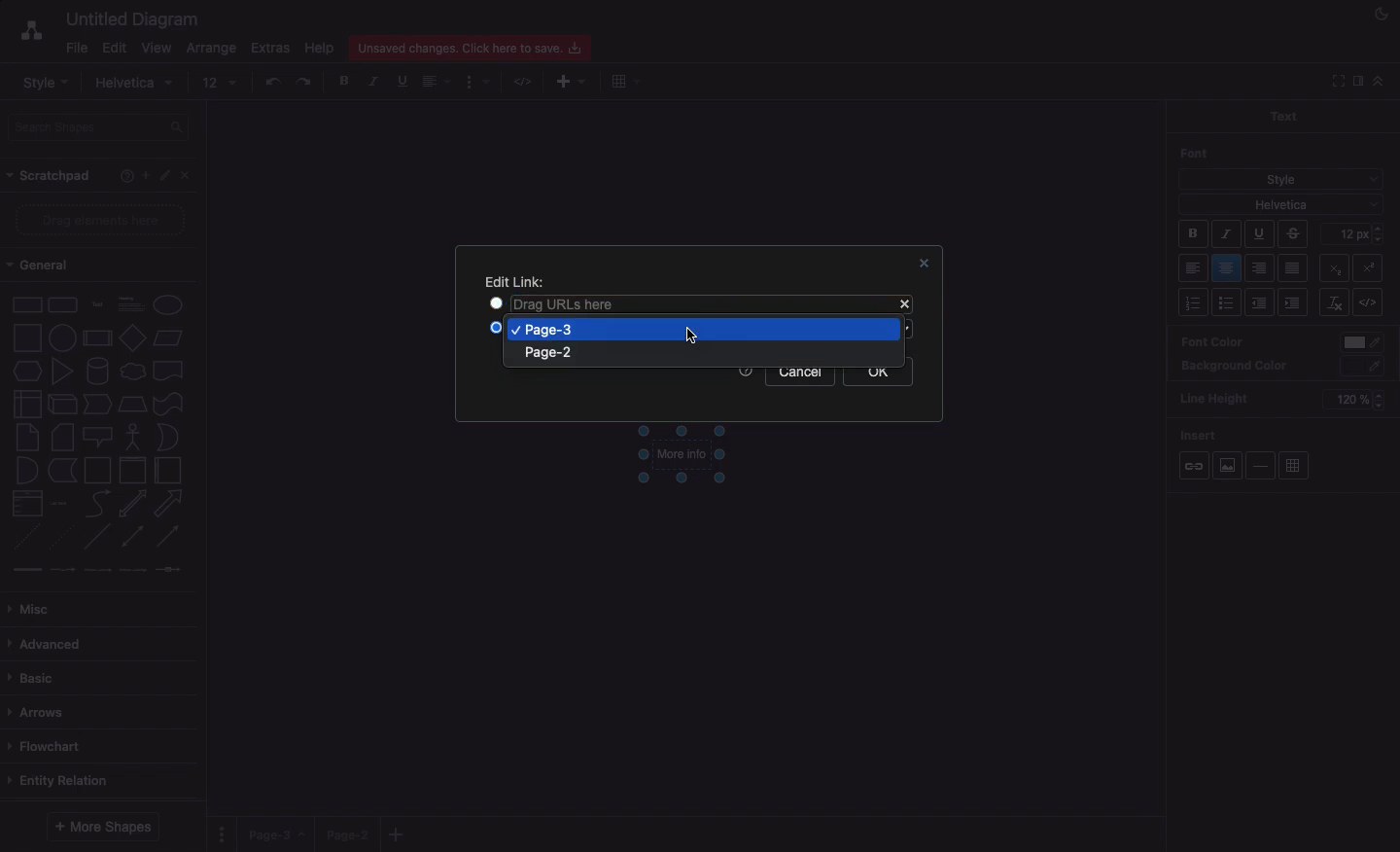  I want to click on or, so click(168, 437).